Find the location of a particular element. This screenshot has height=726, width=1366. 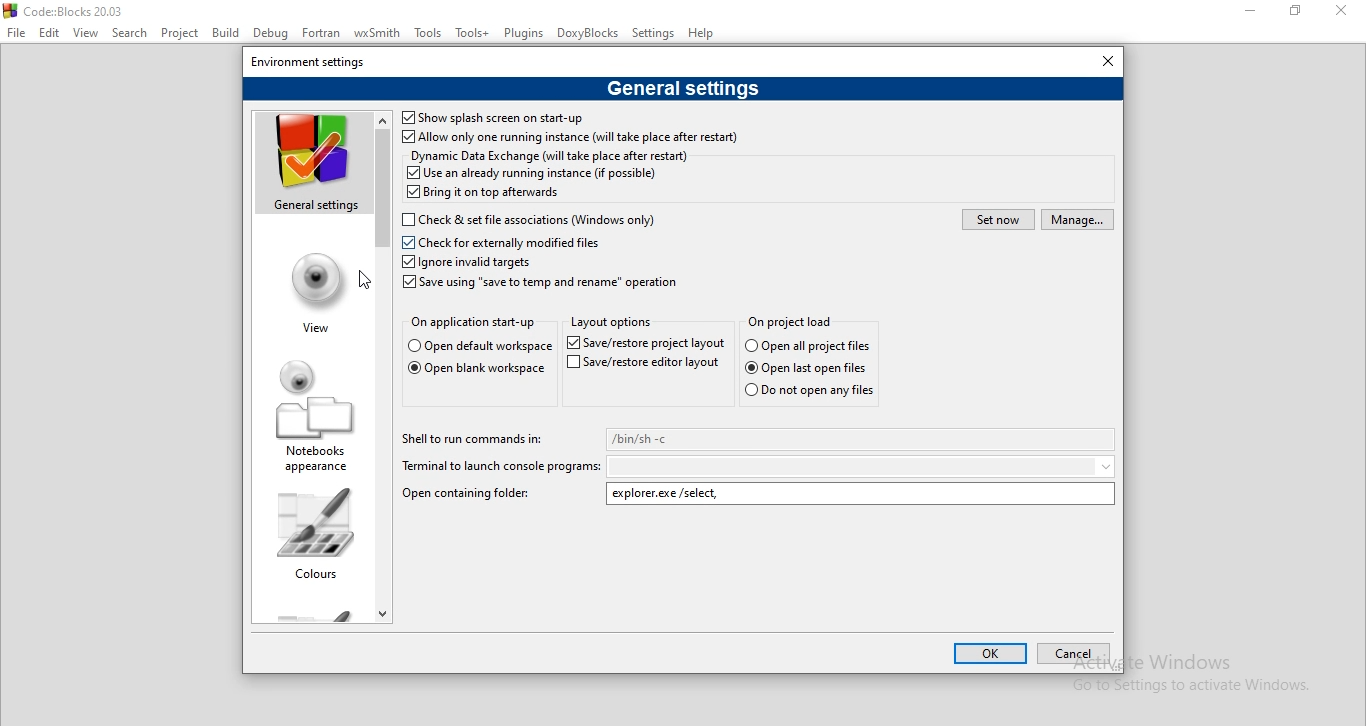

view is located at coordinates (315, 290).